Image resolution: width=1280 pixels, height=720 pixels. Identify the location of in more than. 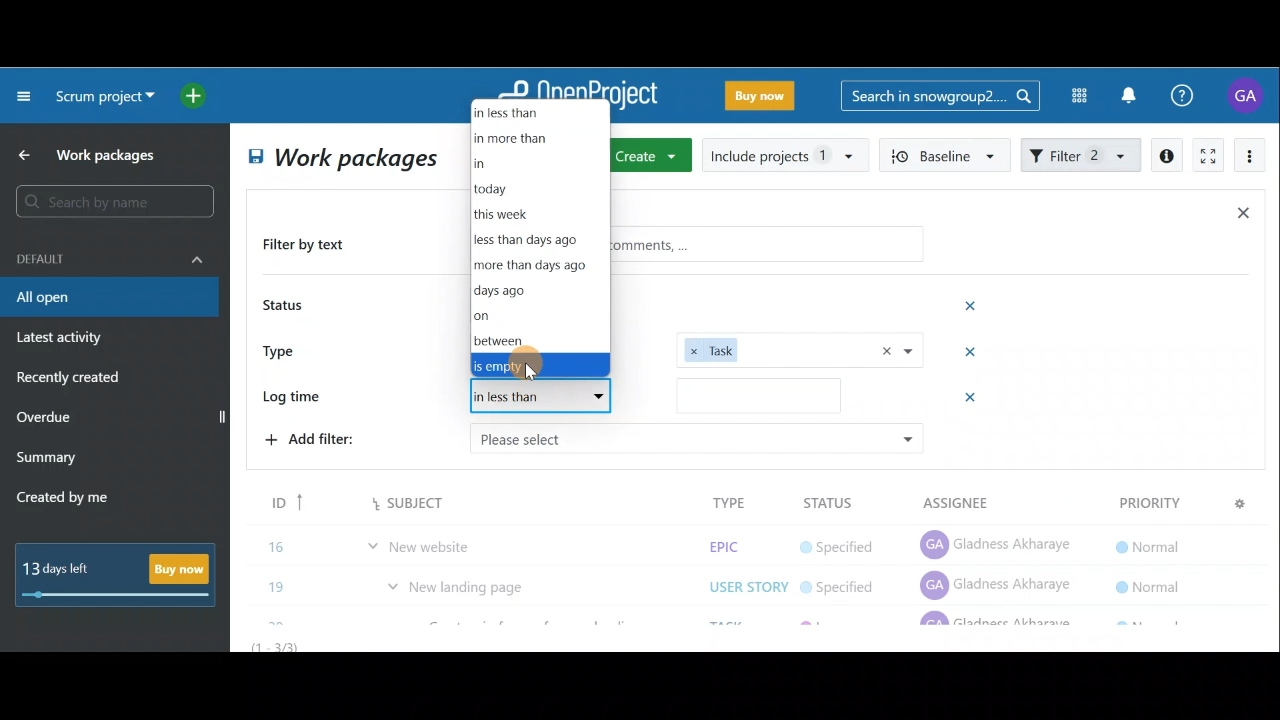
(532, 140).